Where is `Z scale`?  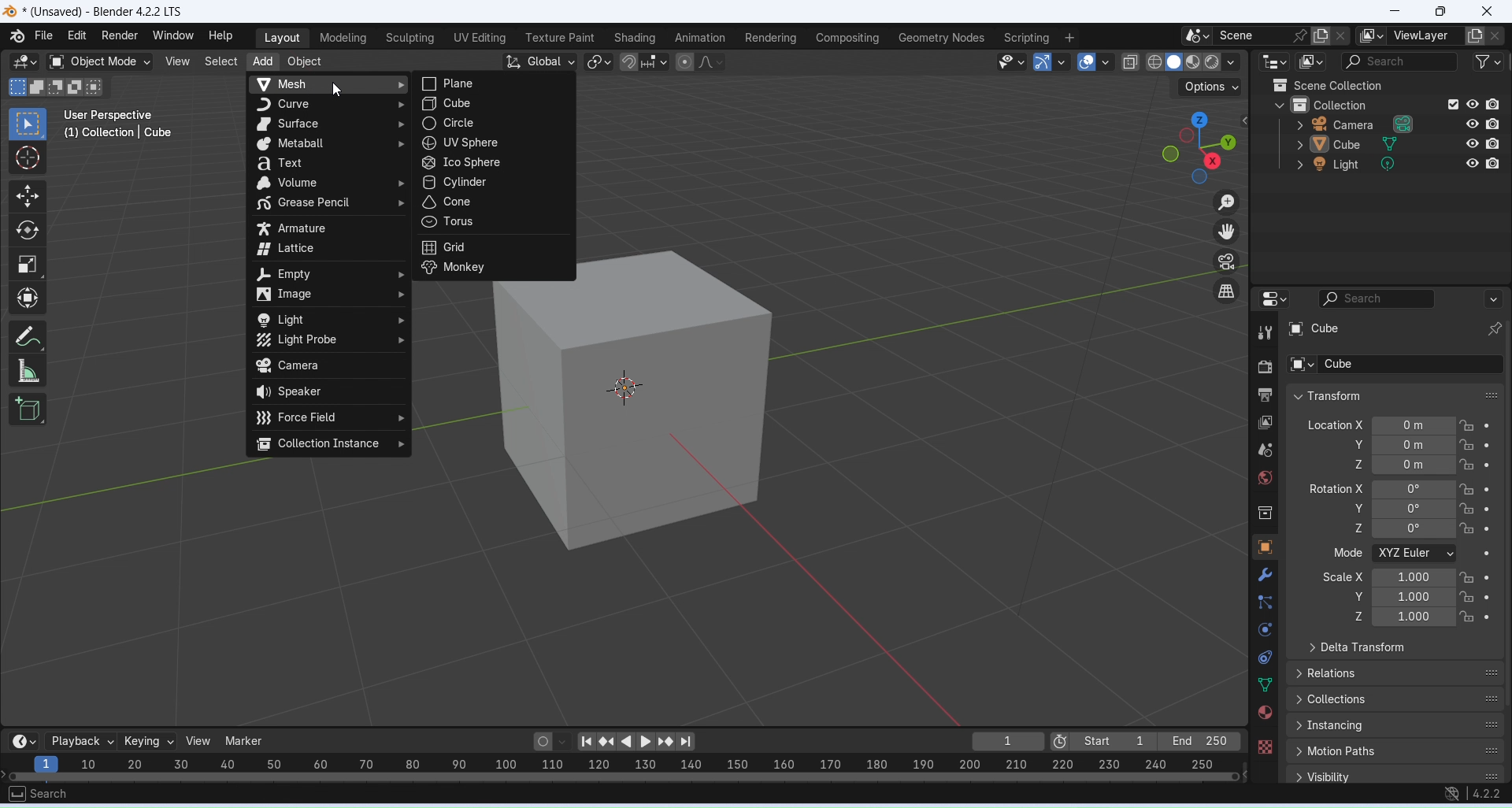
Z scale is located at coordinates (1432, 617).